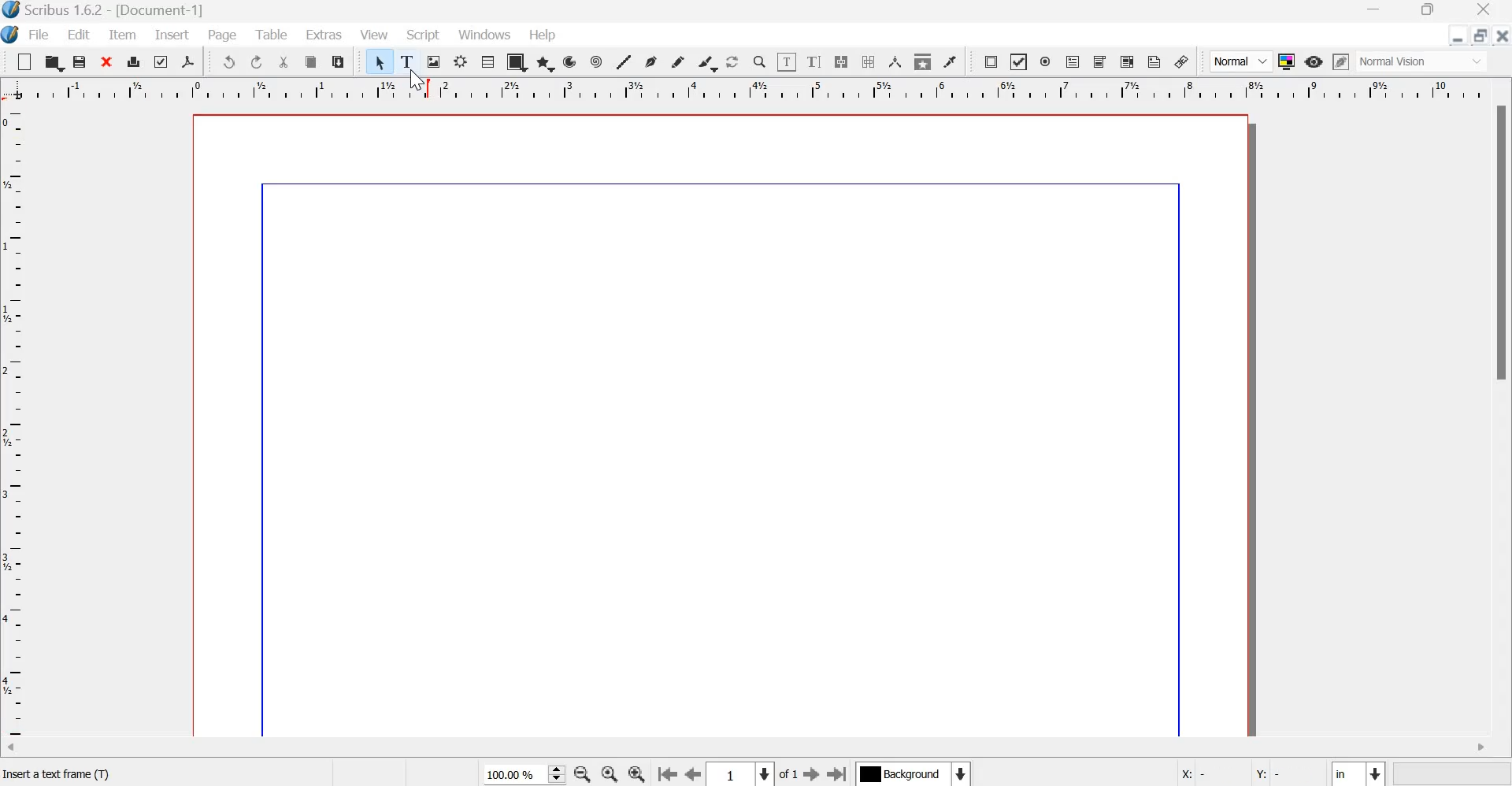  Describe the element at coordinates (11, 35) in the screenshot. I see `Logo` at that location.